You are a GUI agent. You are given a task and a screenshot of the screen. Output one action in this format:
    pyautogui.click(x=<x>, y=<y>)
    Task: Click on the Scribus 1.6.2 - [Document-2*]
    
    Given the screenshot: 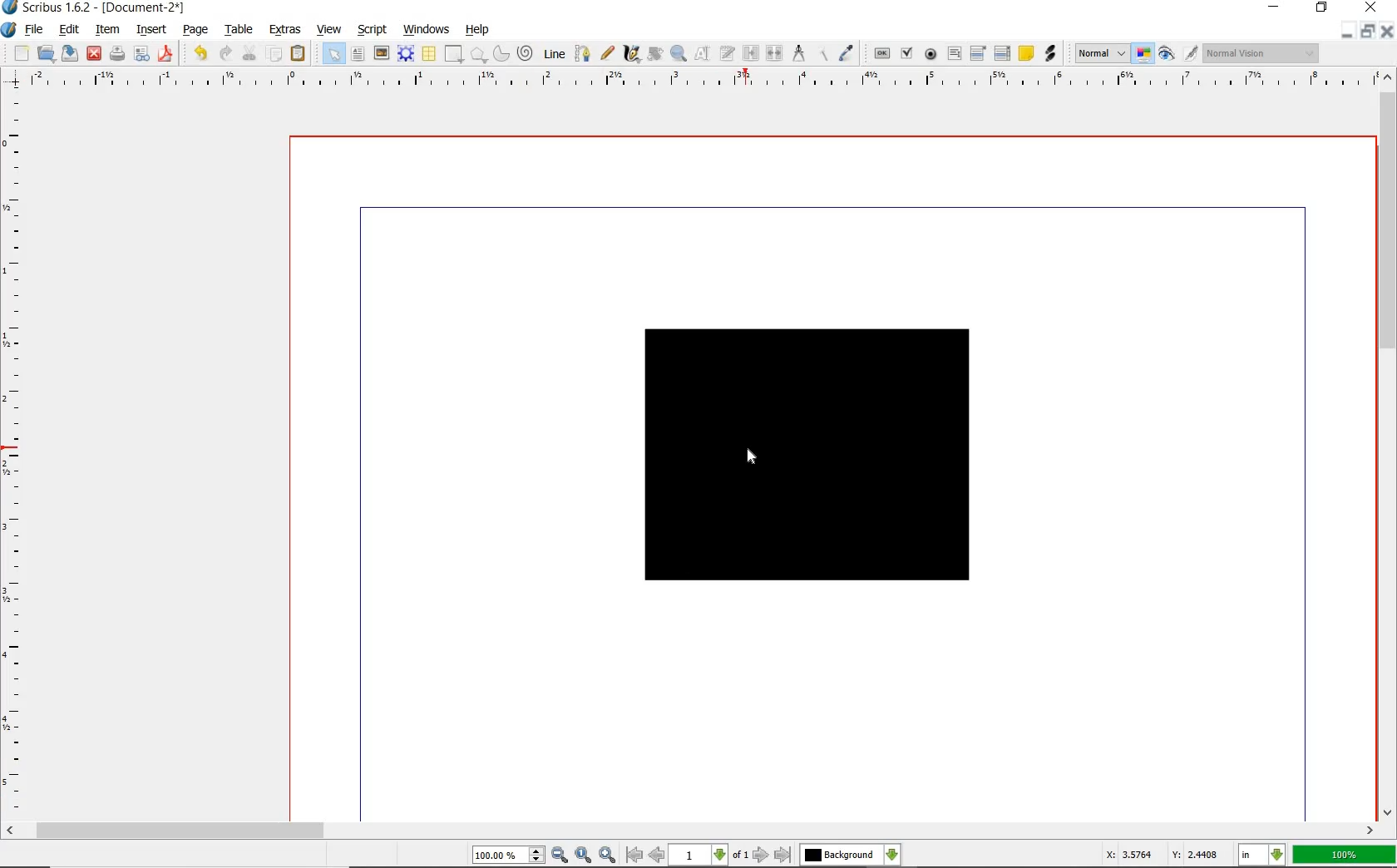 What is the action you would take?
    pyautogui.click(x=96, y=8)
    